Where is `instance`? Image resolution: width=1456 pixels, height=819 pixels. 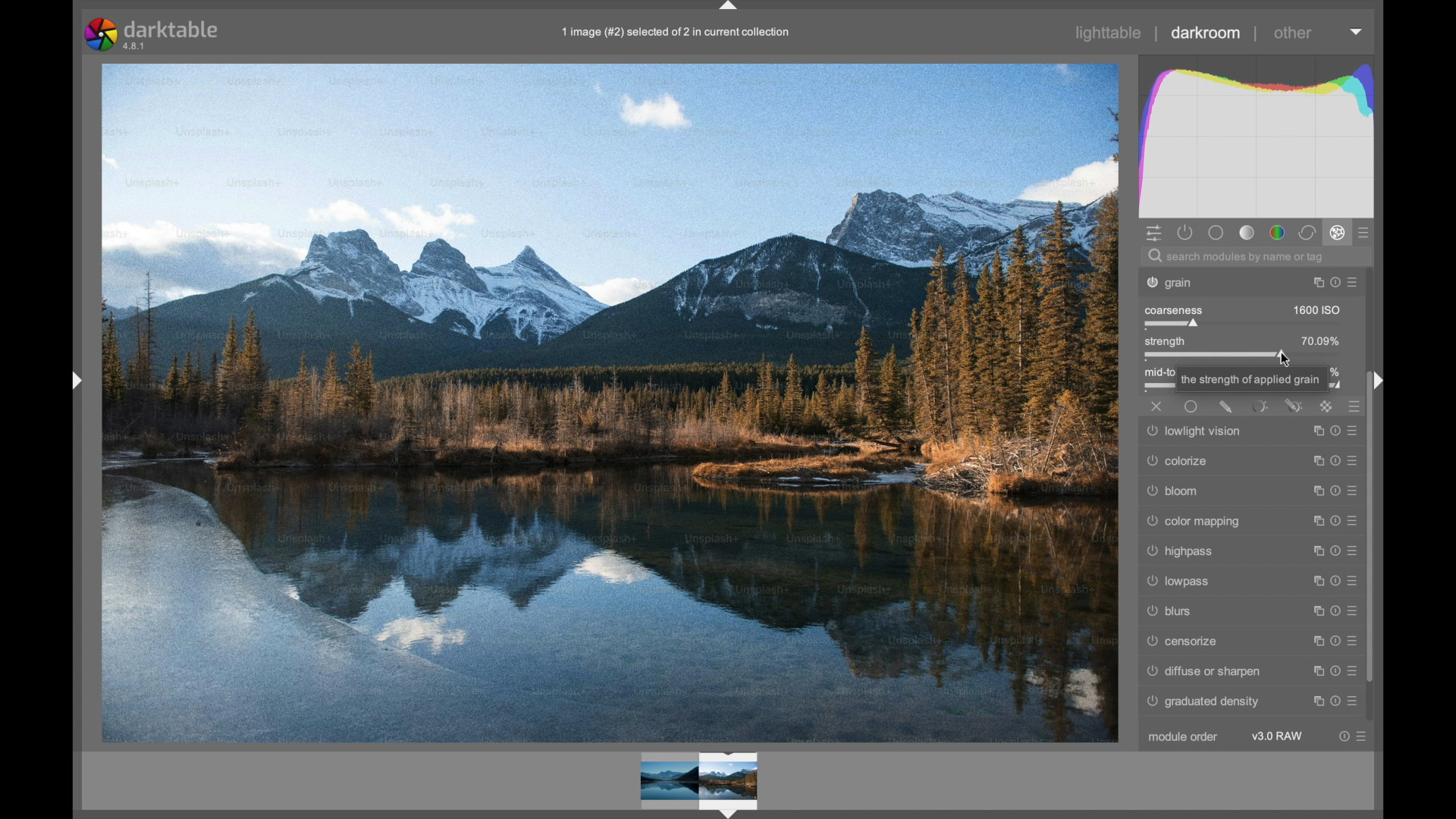
instance is located at coordinates (1314, 429).